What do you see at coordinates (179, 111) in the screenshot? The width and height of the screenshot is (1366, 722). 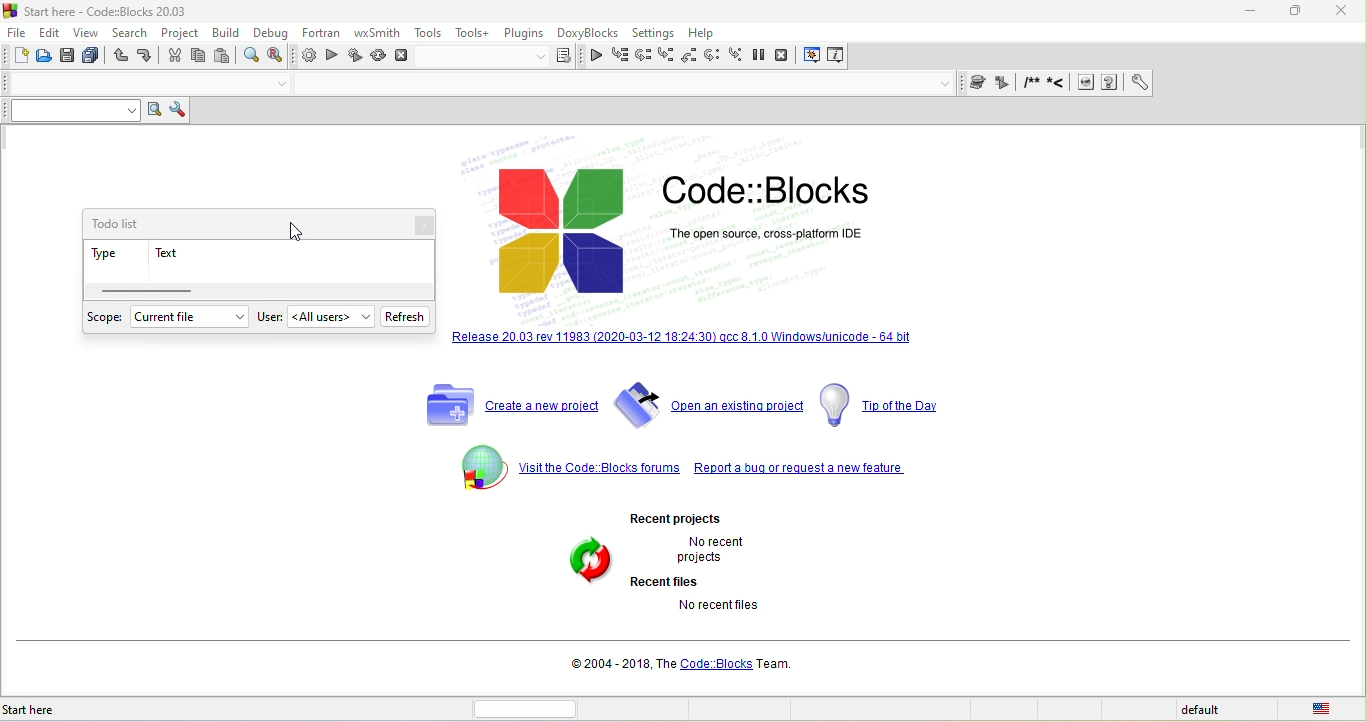 I see `show option window` at bounding box center [179, 111].